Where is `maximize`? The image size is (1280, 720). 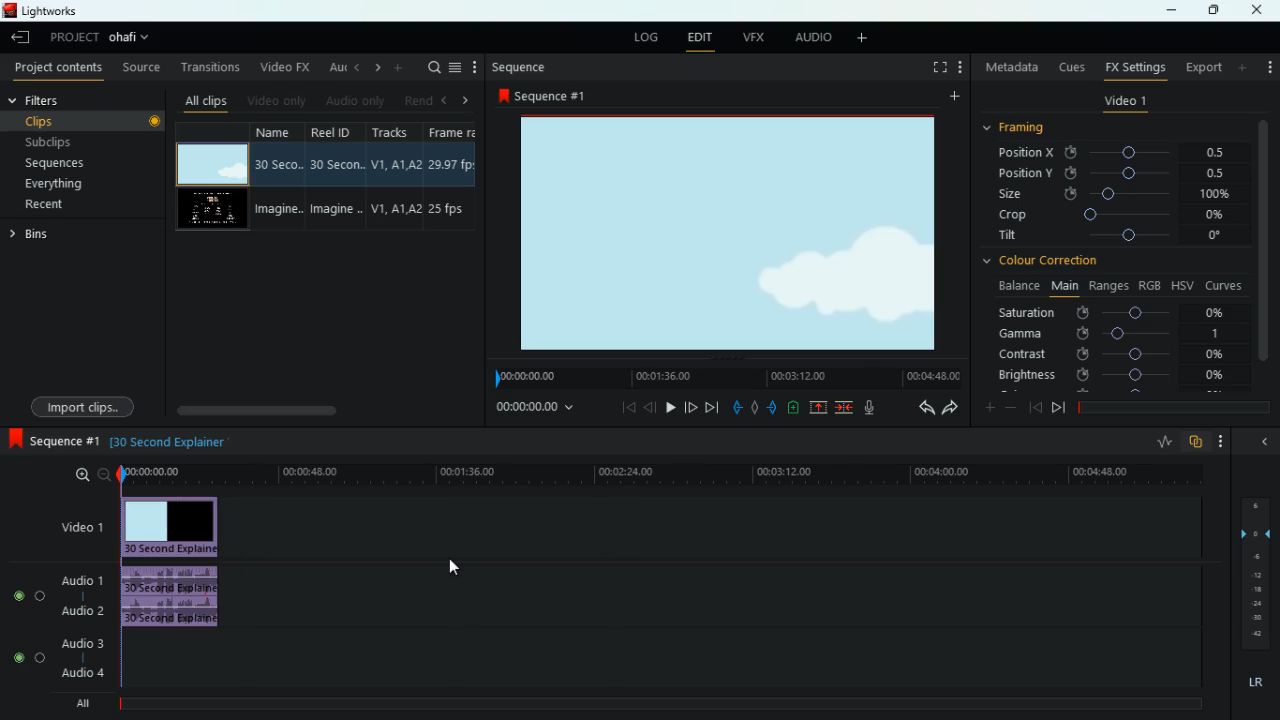
maximize is located at coordinates (1208, 10).